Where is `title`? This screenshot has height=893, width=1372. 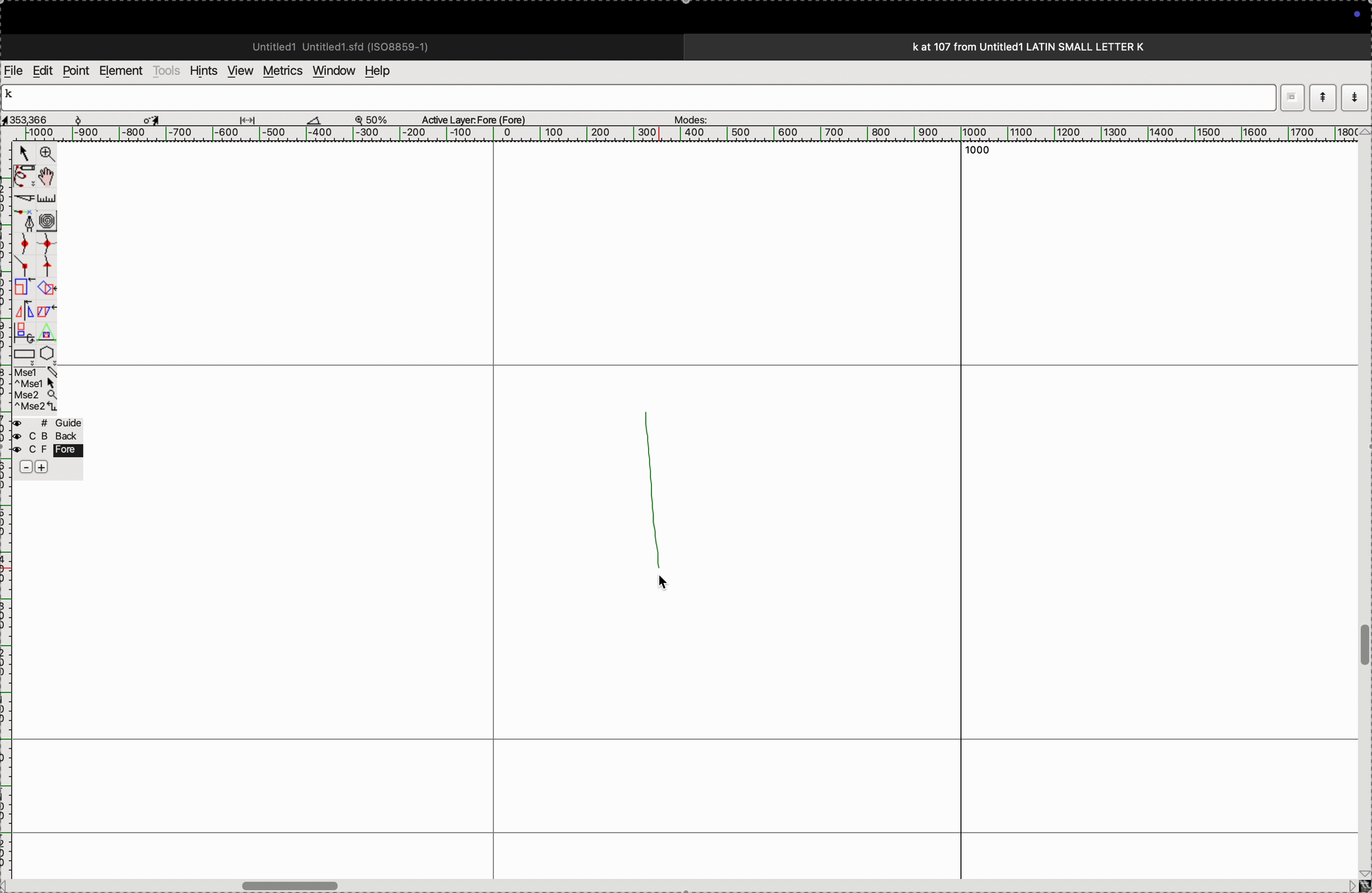
title is located at coordinates (1060, 46).